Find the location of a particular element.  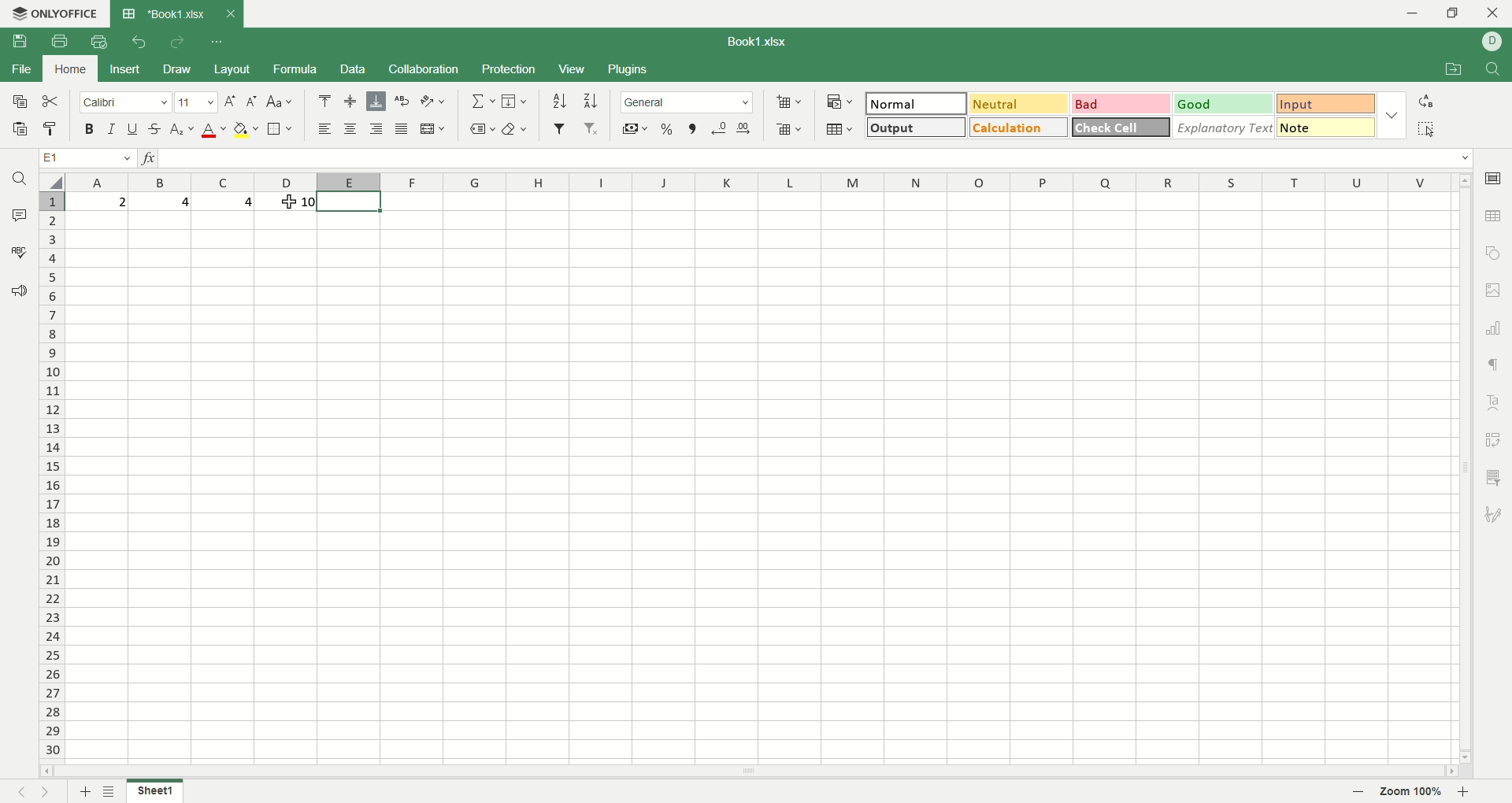

align right is located at coordinates (379, 129).